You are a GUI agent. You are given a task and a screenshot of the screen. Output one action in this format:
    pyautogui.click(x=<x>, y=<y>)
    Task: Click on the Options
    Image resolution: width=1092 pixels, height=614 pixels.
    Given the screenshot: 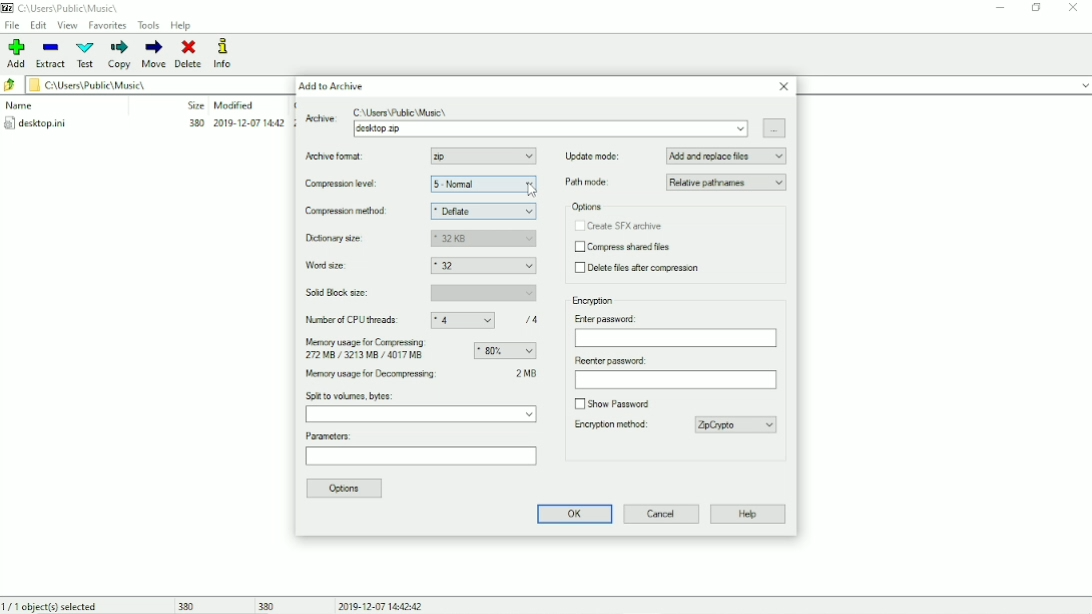 What is the action you would take?
    pyautogui.click(x=346, y=489)
    